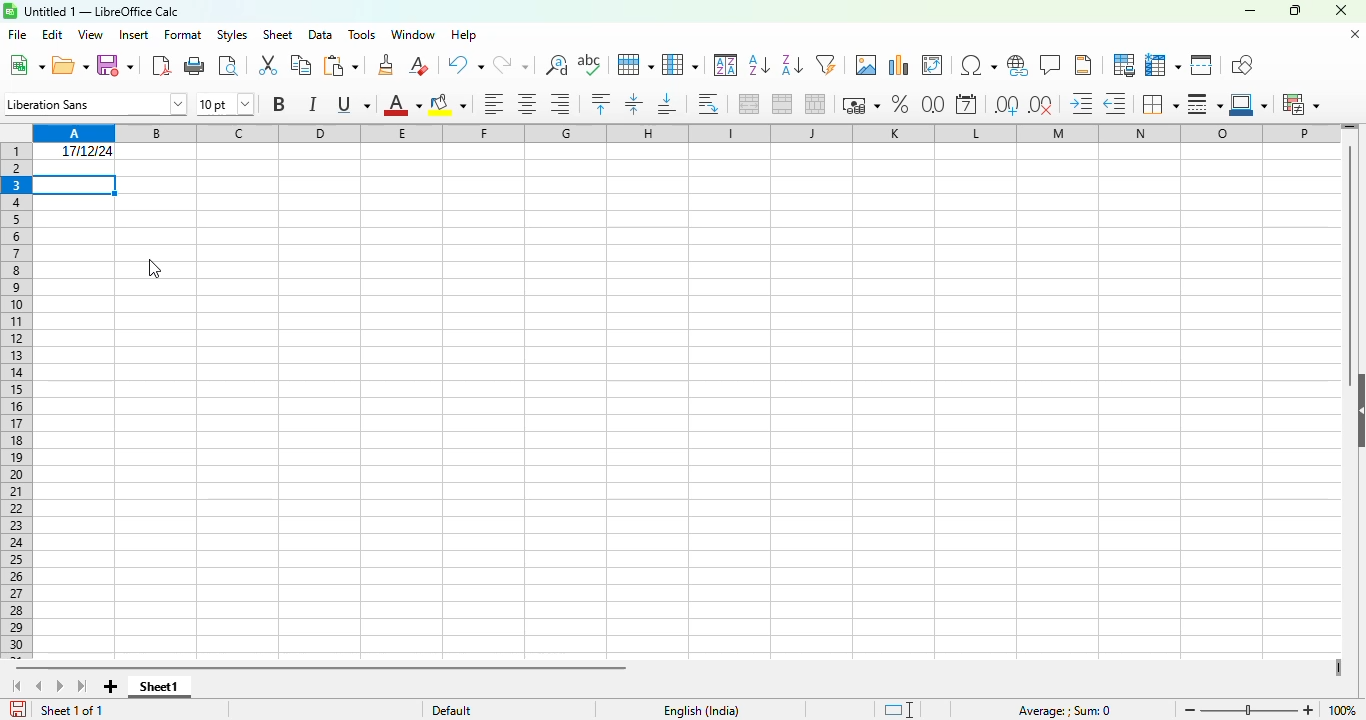 This screenshot has width=1366, height=720. I want to click on show, so click(1357, 410).